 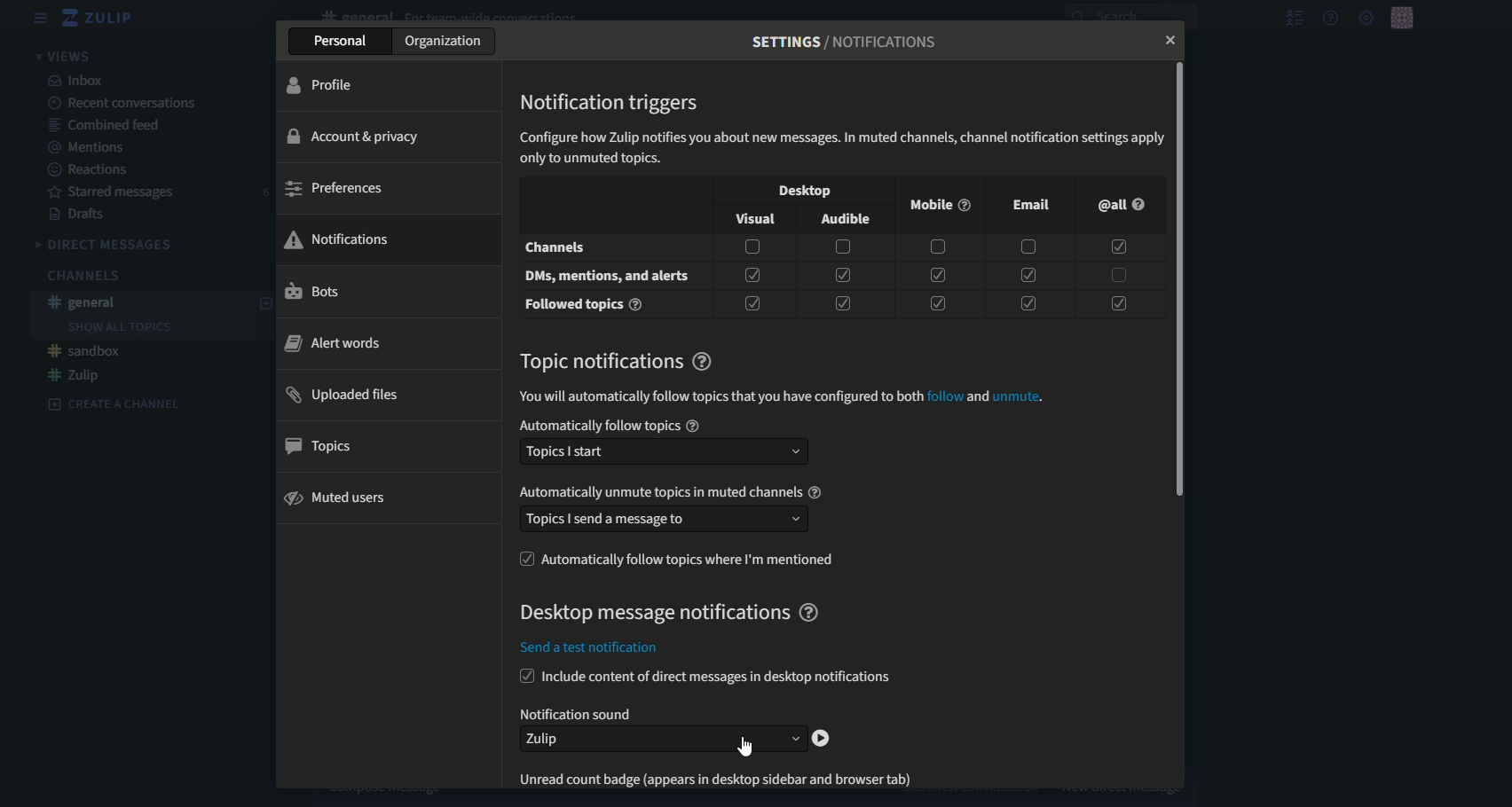 What do you see at coordinates (1166, 42) in the screenshot?
I see `close` at bounding box center [1166, 42].